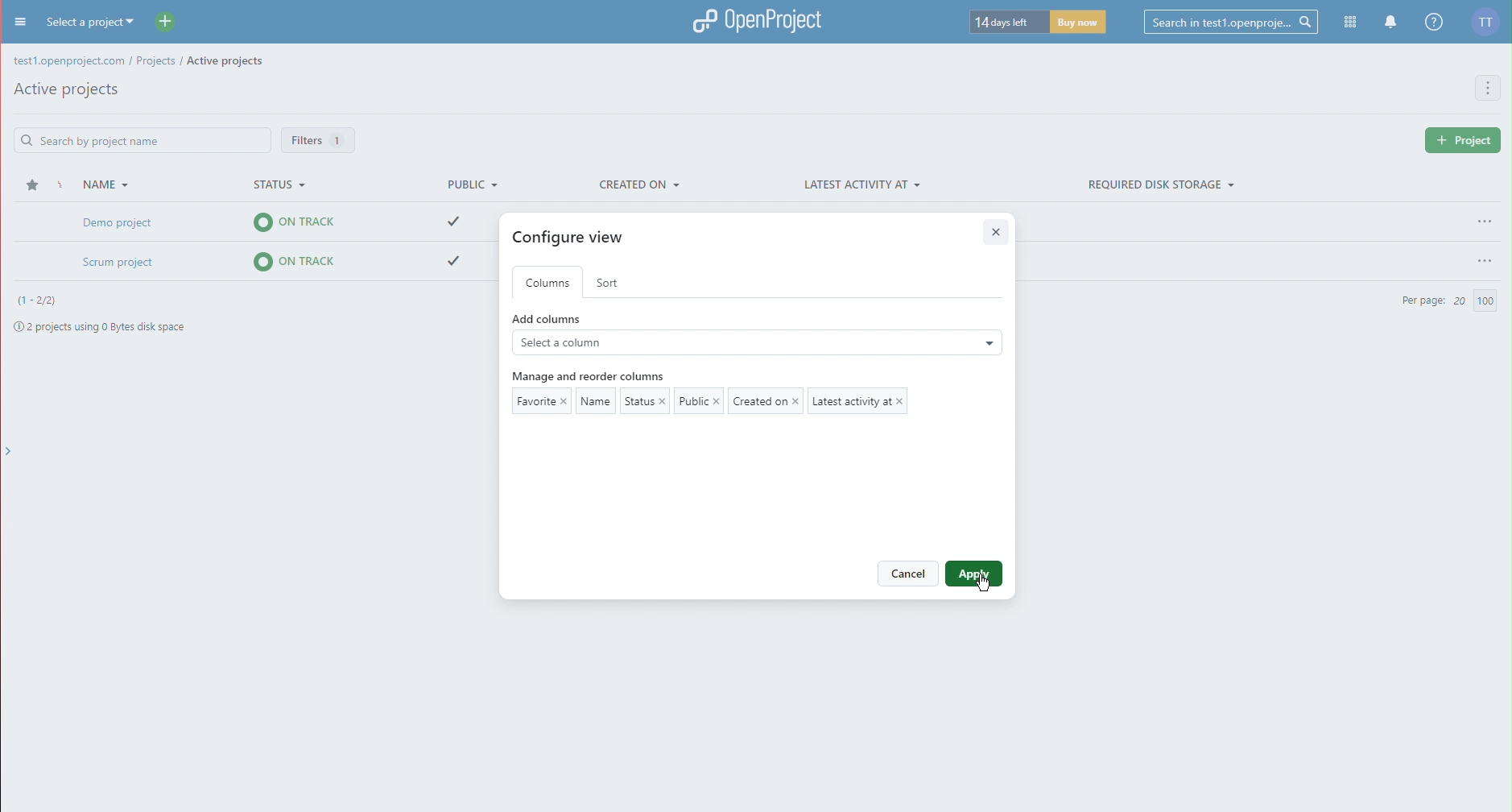 This screenshot has height=812, width=1512. Describe the element at coordinates (552, 282) in the screenshot. I see `Columns ` at that location.